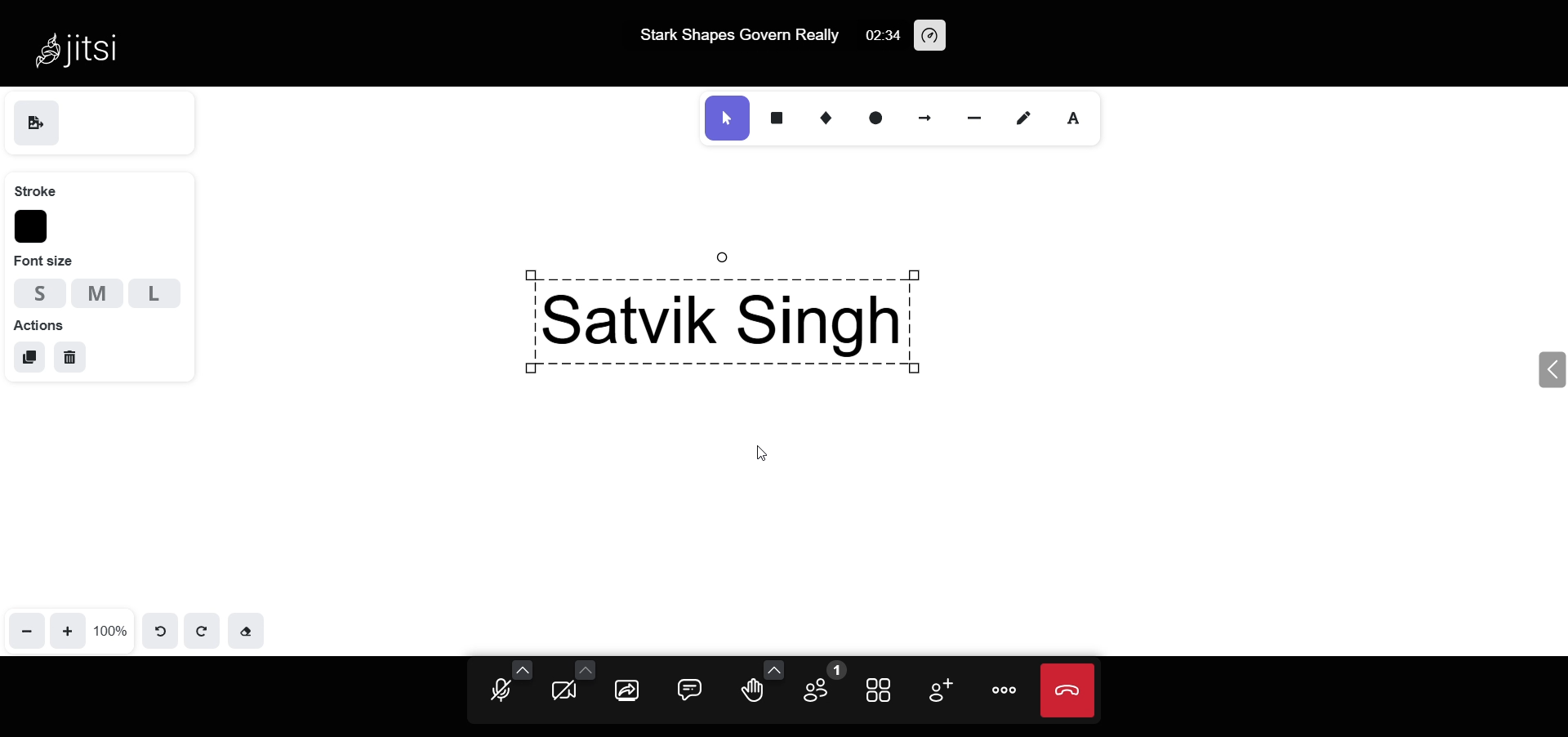 The height and width of the screenshot is (737, 1568). I want to click on chat, so click(693, 689).